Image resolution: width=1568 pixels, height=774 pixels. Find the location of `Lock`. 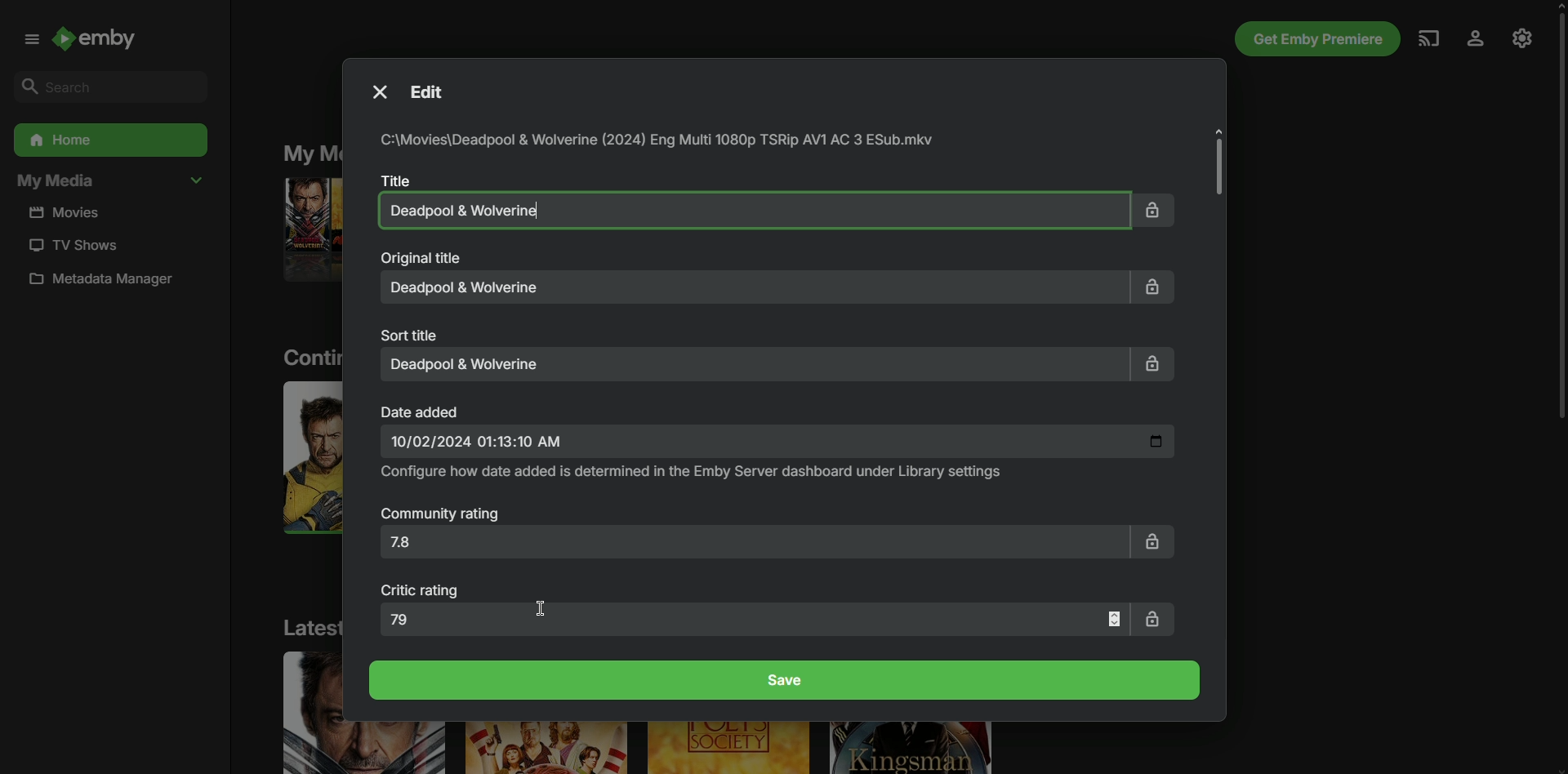

Lock is located at coordinates (1153, 540).